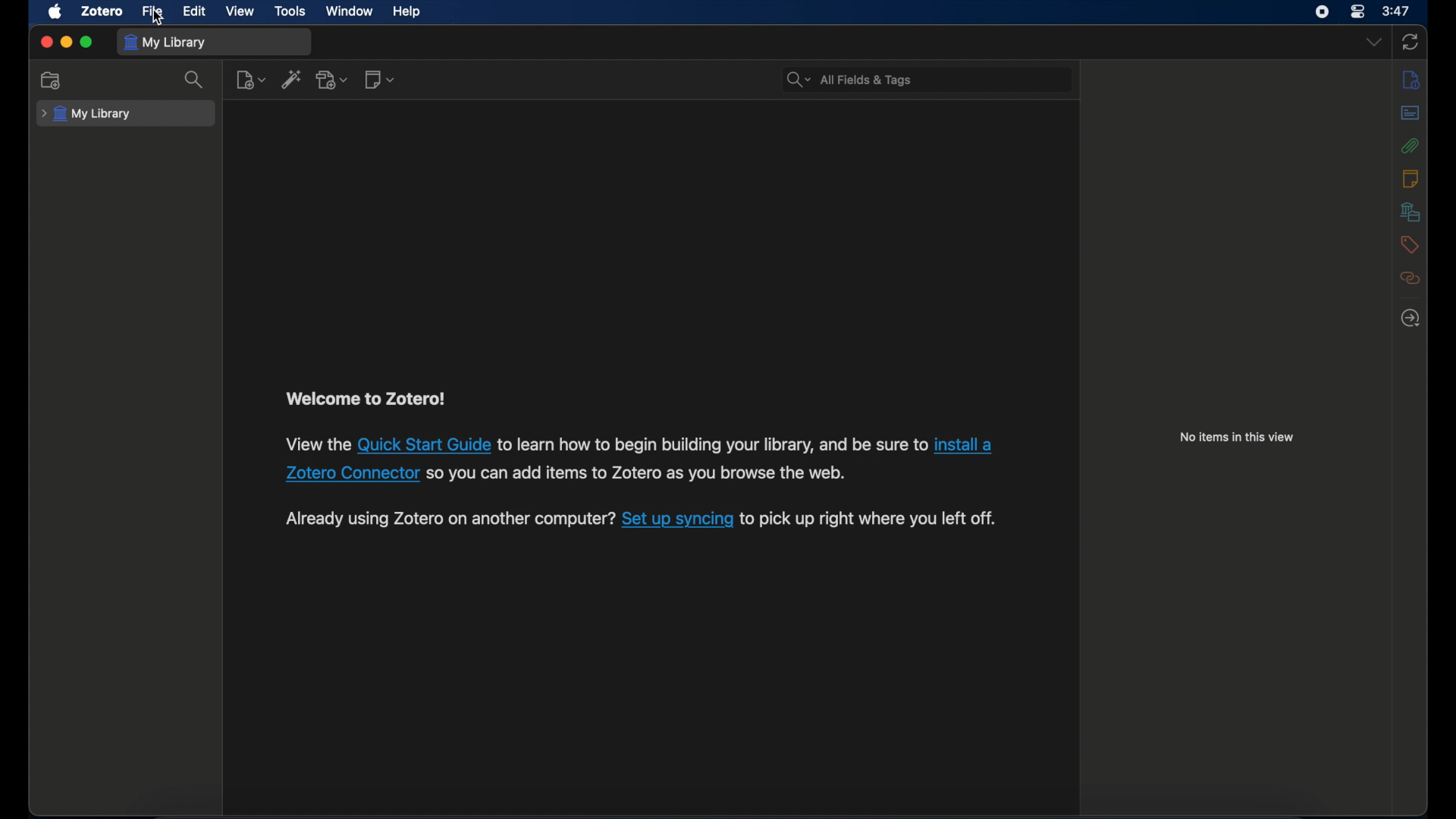 This screenshot has width=1456, height=819. I want to click on help, so click(408, 12).